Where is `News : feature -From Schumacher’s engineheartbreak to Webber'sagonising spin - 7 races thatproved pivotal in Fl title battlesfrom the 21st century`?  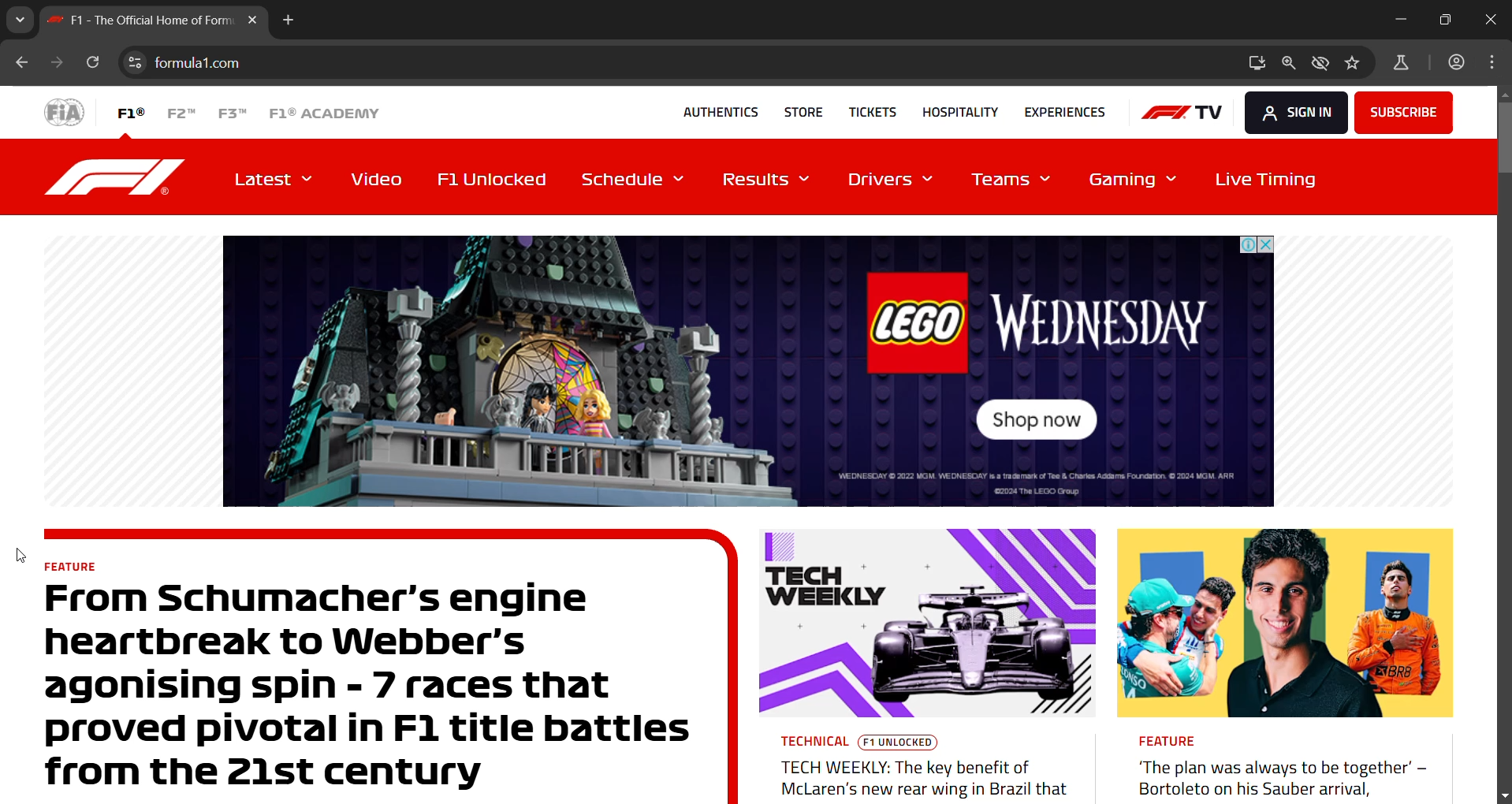 News : feature -From Schumacher’s engineheartbreak to Webber'sagonising spin - 7 races thatproved pivotal in Fl title battlesfrom the 21st century is located at coordinates (390, 665).